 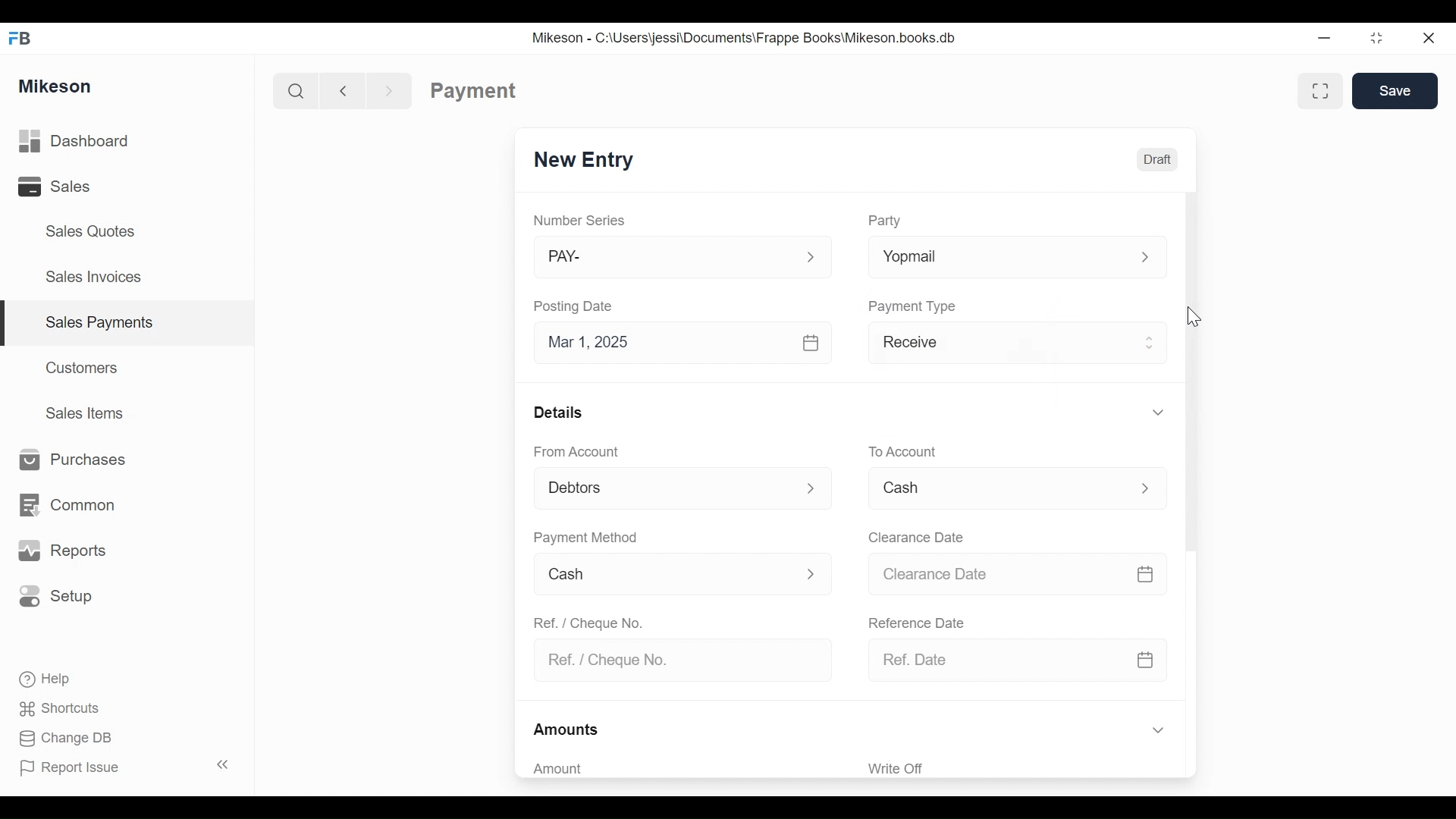 What do you see at coordinates (1157, 410) in the screenshot?
I see `Hide` at bounding box center [1157, 410].